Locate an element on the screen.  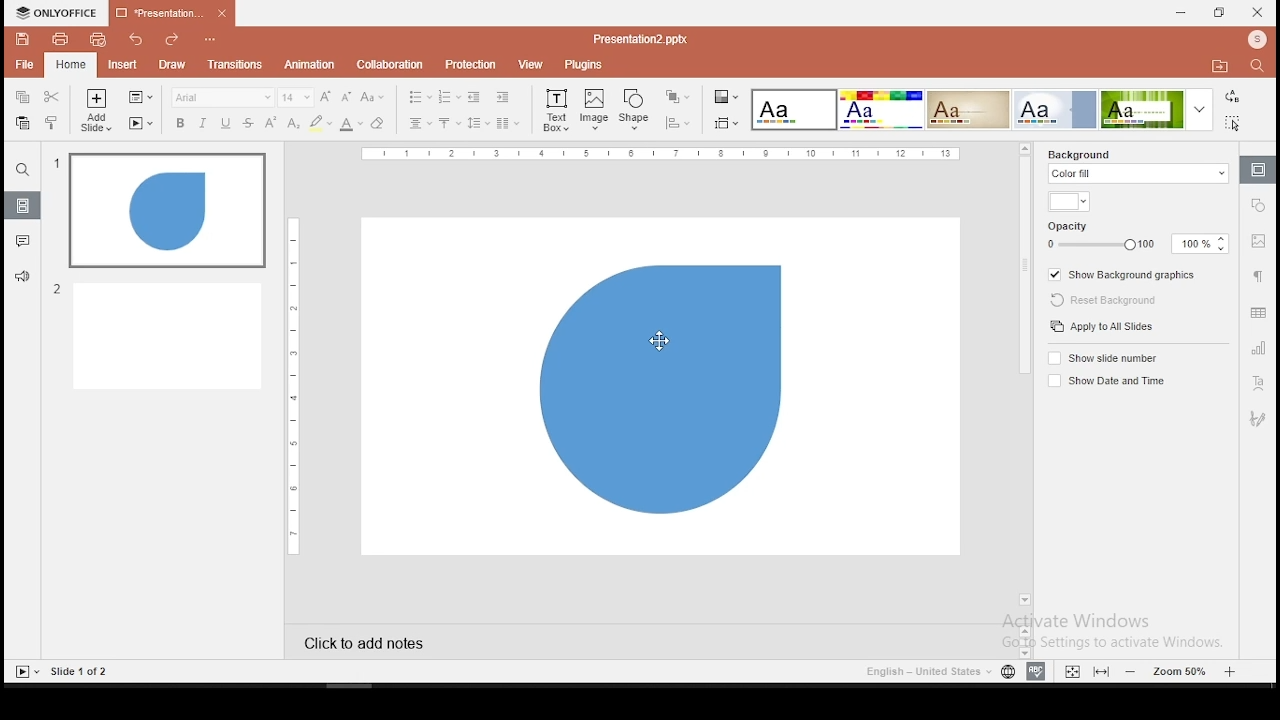
background fill is located at coordinates (1137, 164).